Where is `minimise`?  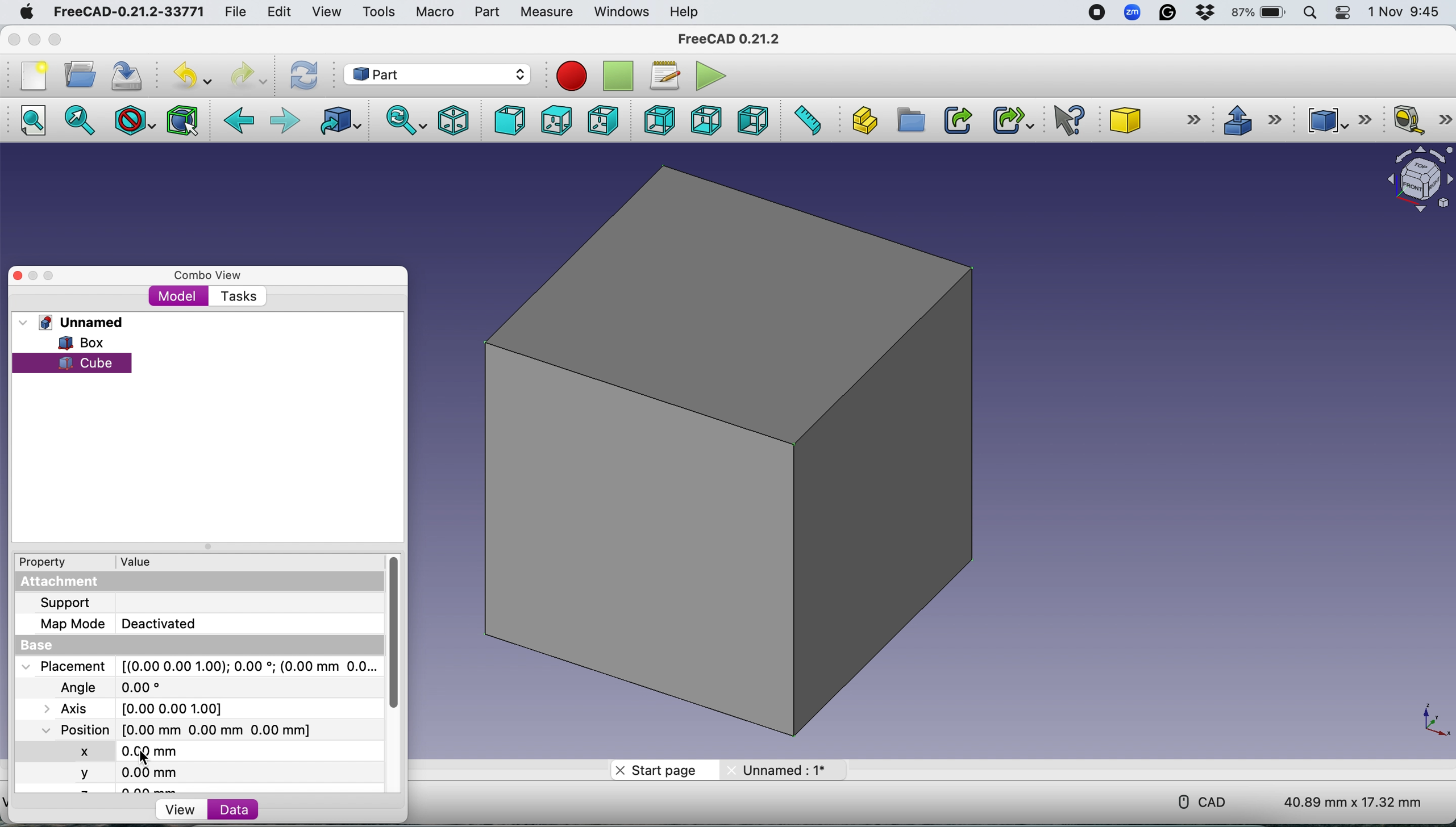
minimise is located at coordinates (34, 39).